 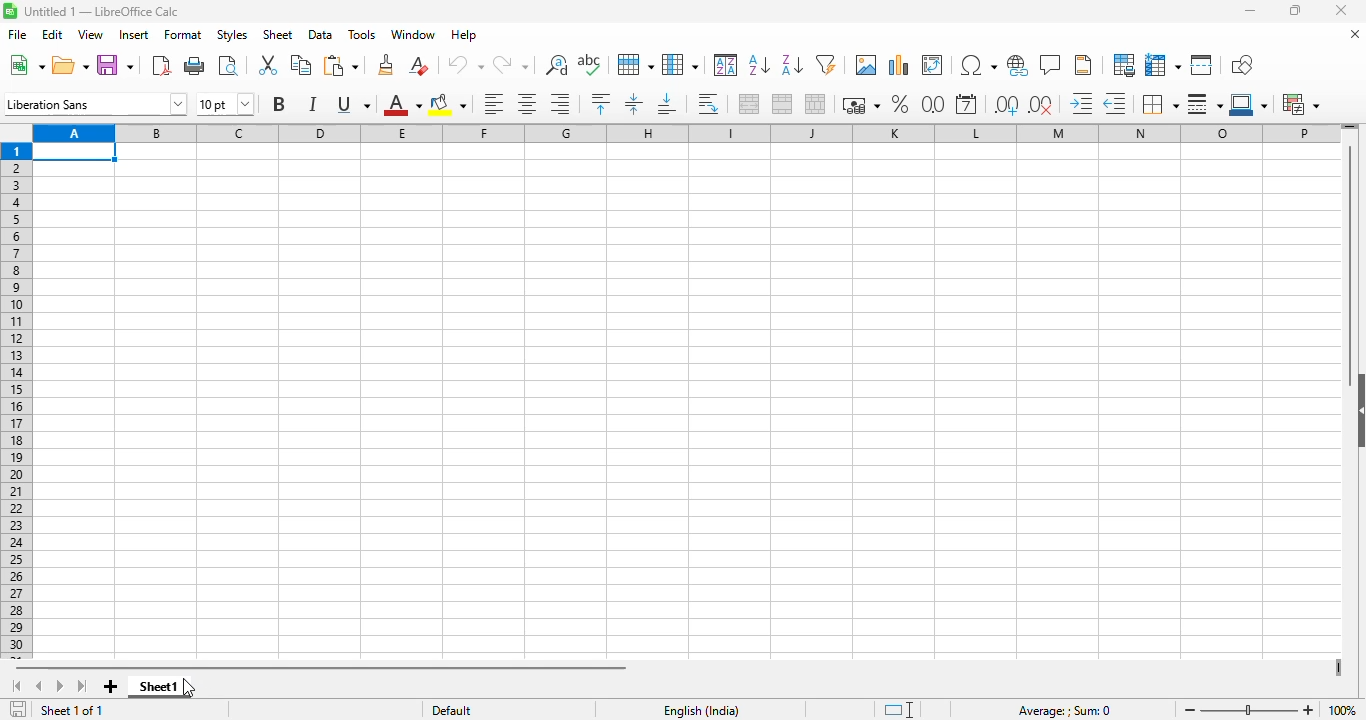 I want to click on merge cells, so click(x=783, y=103).